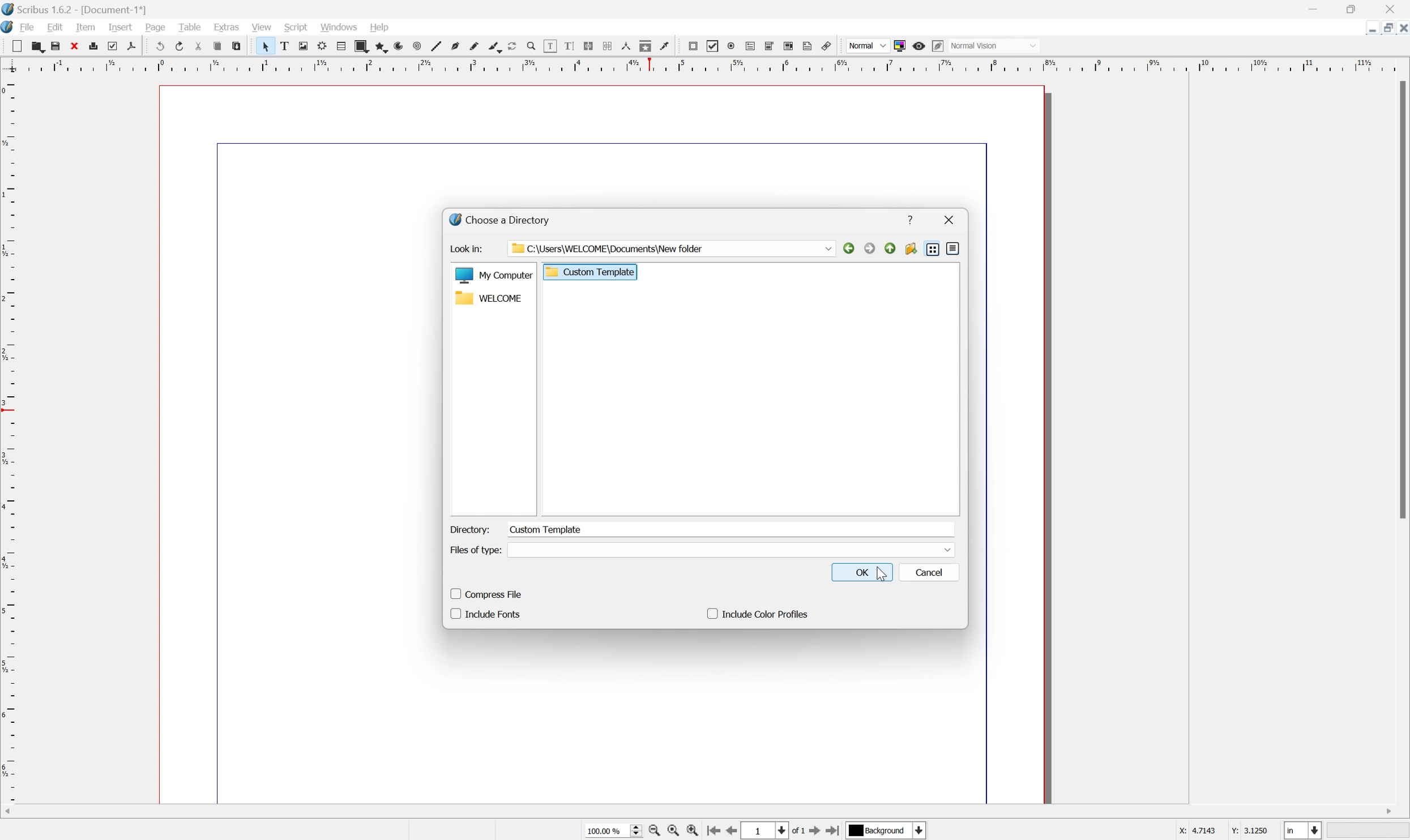 The width and height of the screenshot is (1410, 840). Describe the element at coordinates (380, 45) in the screenshot. I see `polygon` at that location.